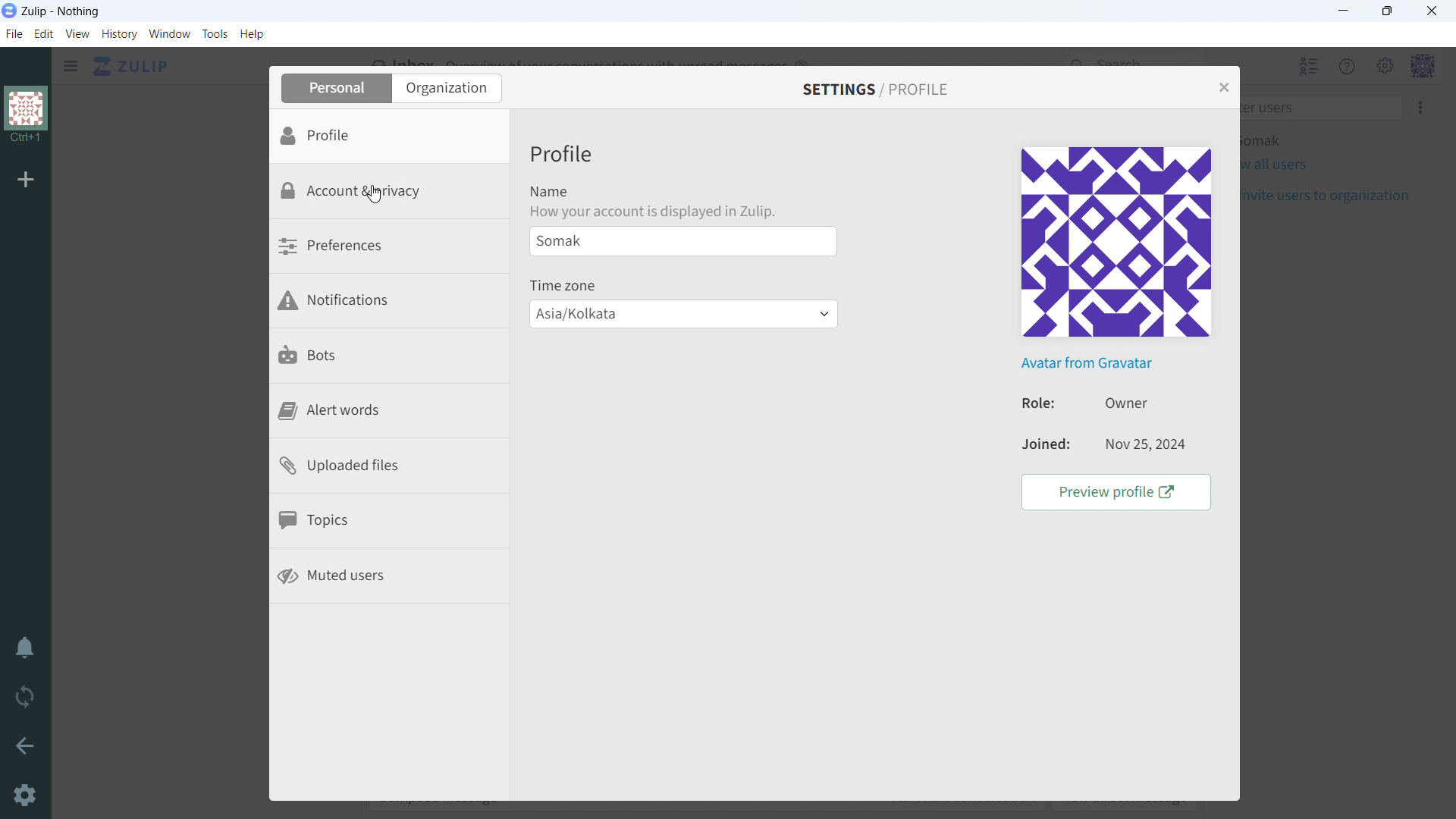 This screenshot has width=1456, height=819. What do you see at coordinates (657, 181) in the screenshot?
I see `Profile
Name
How your account is displayed in Zulip.` at bounding box center [657, 181].